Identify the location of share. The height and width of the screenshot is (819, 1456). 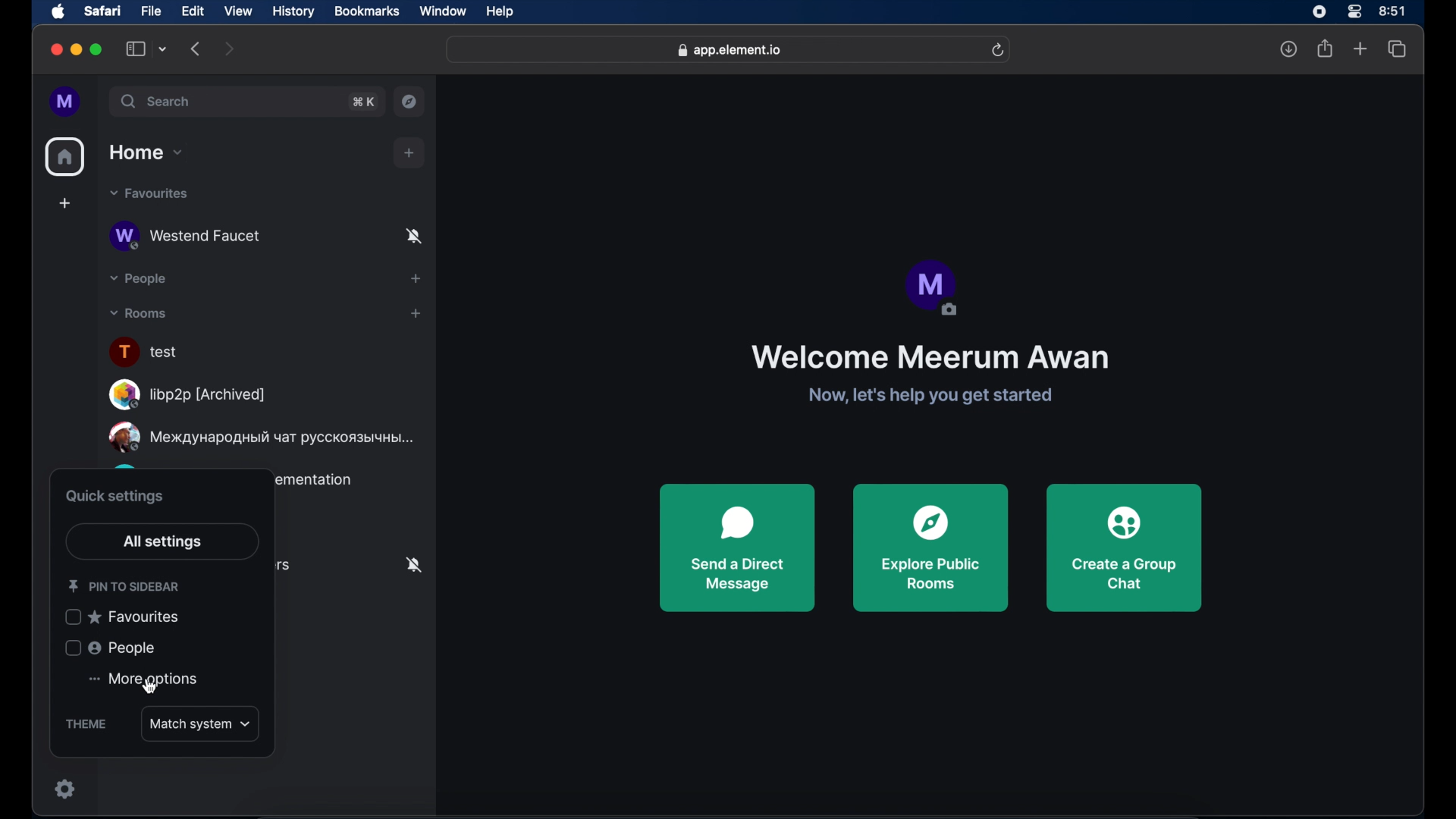
(1323, 49).